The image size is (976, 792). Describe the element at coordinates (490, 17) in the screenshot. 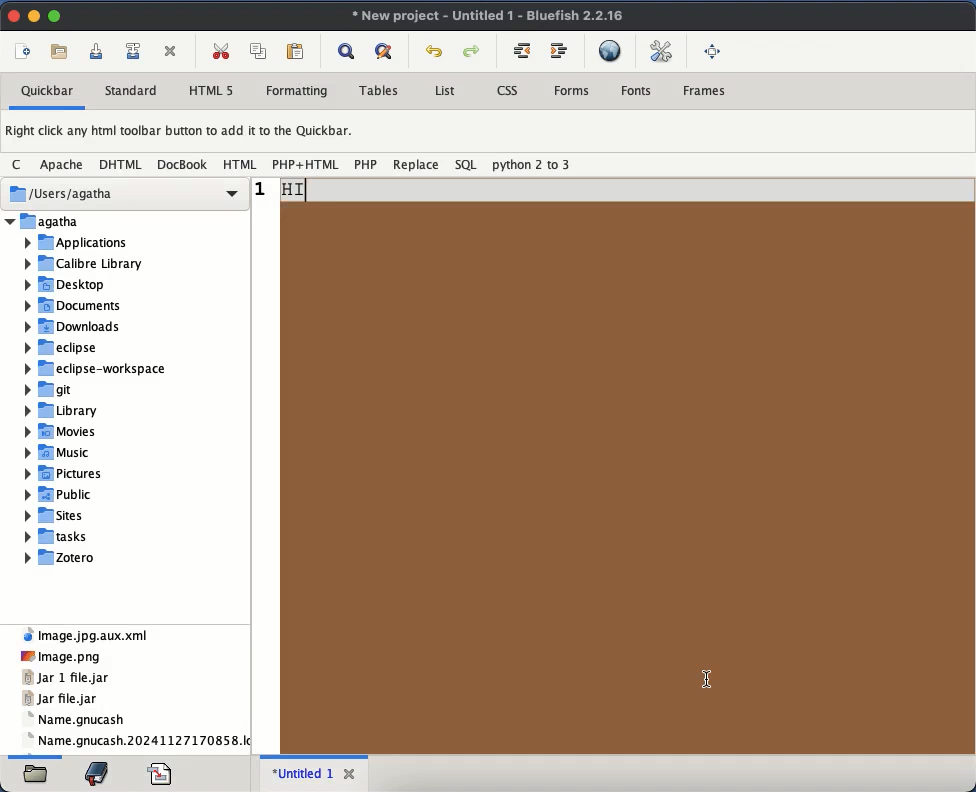

I see `new project` at that location.